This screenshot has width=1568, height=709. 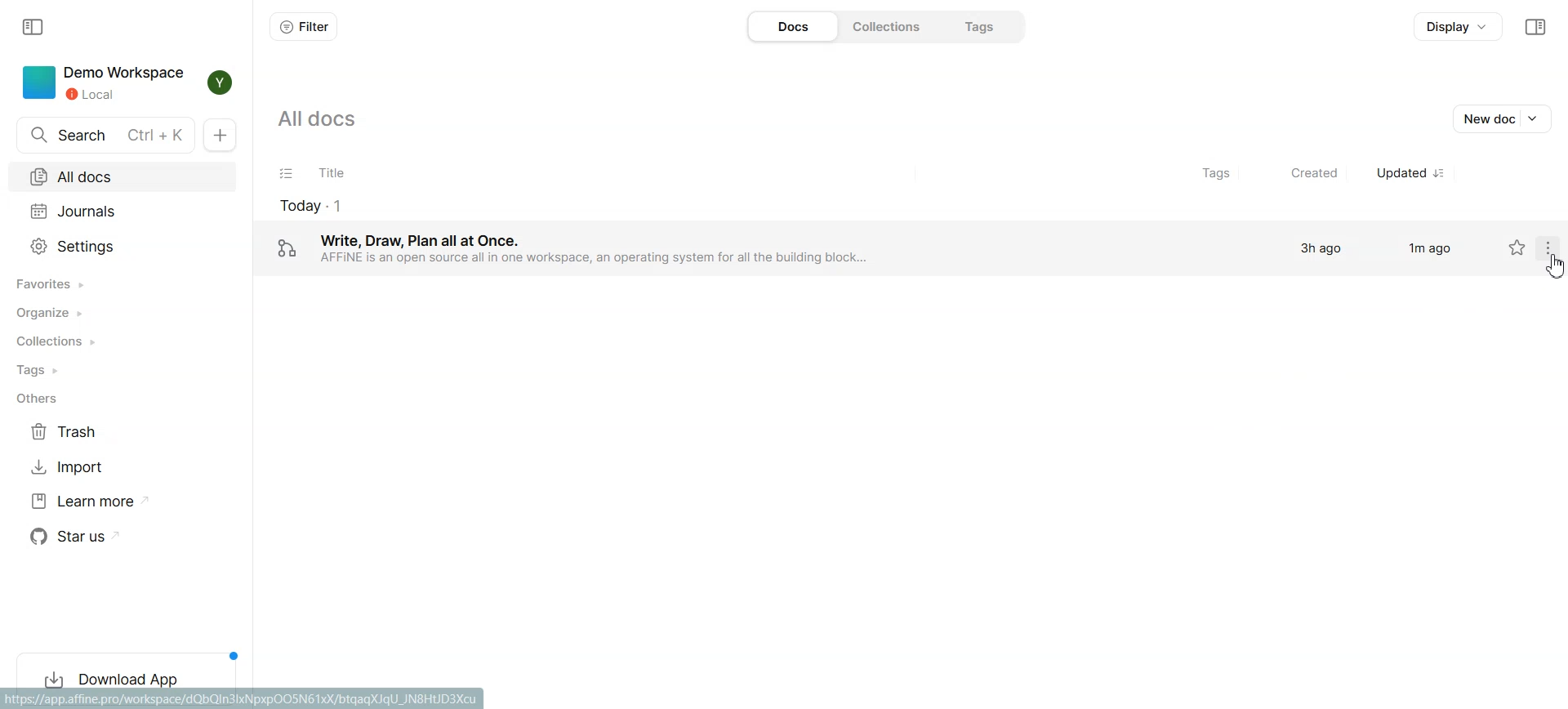 What do you see at coordinates (107, 433) in the screenshot?
I see `Trash` at bounding box center [107, 433].